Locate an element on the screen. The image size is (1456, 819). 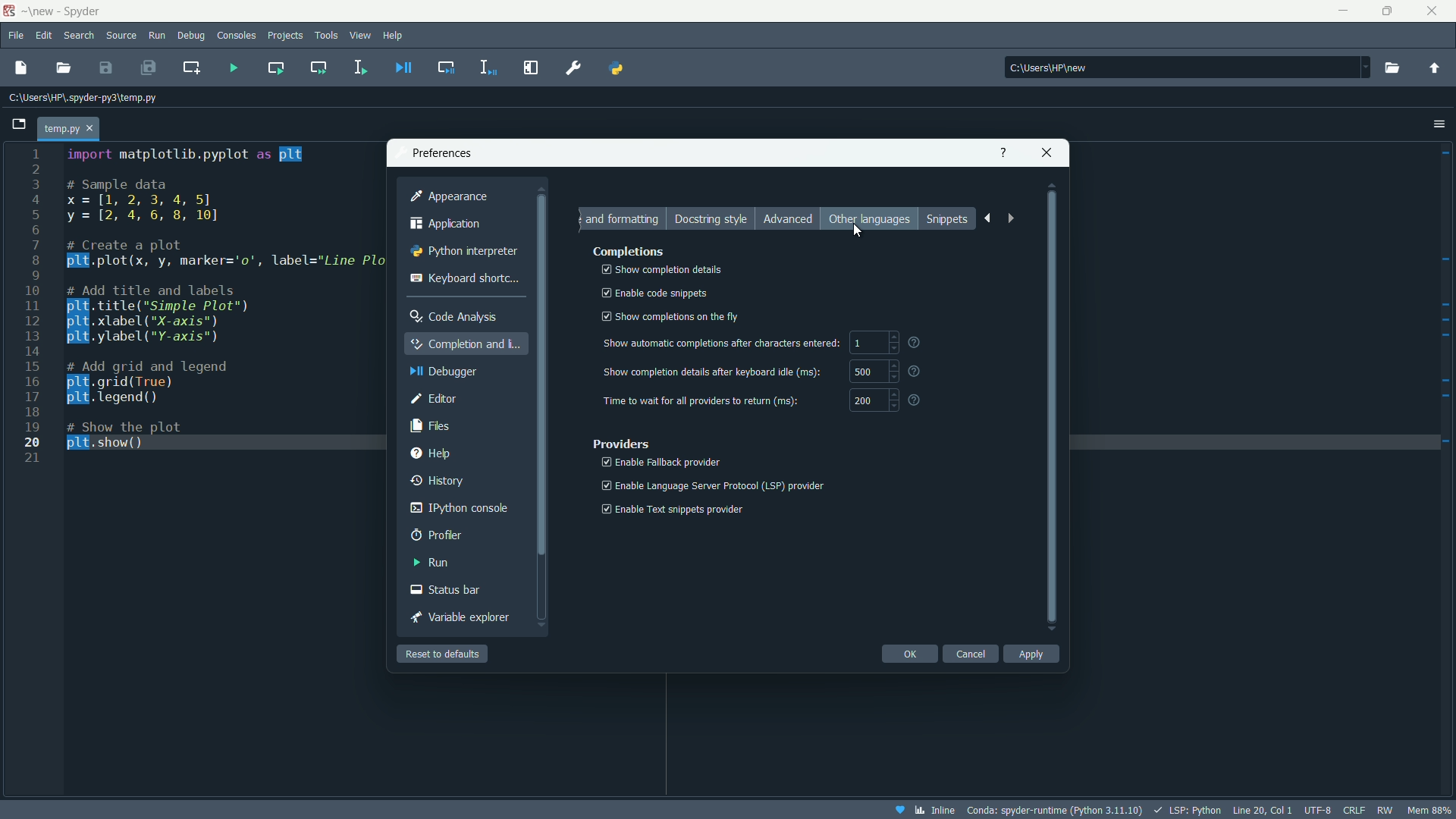
providers is located at coordinates (621, 444).